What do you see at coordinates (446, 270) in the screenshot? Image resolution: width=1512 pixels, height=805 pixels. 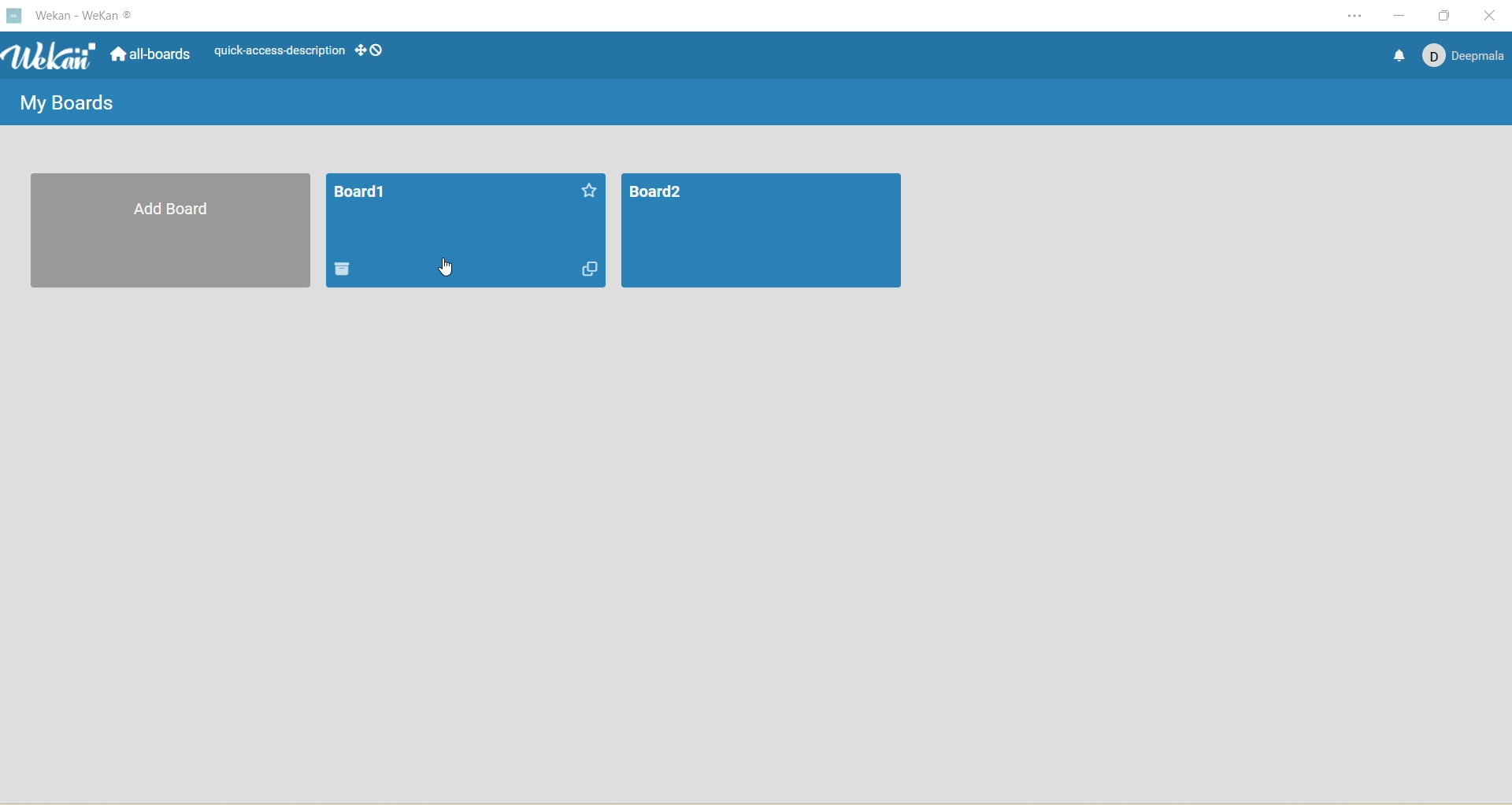 I see `cursor` at bounding box center [446, 270].